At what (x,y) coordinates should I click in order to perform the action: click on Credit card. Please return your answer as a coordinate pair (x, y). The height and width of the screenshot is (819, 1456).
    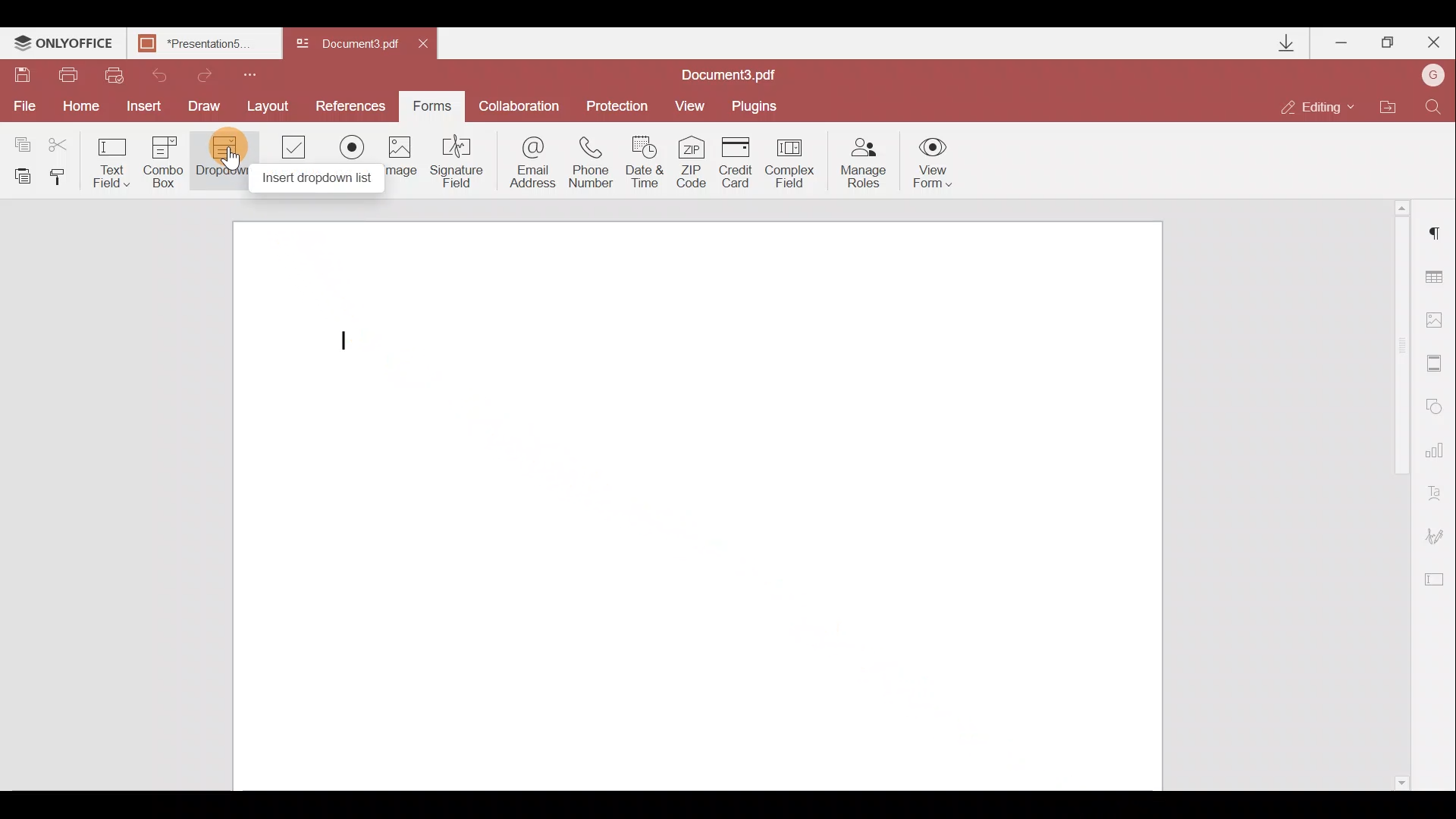
    Looking at the image, I should click on (740, 160).